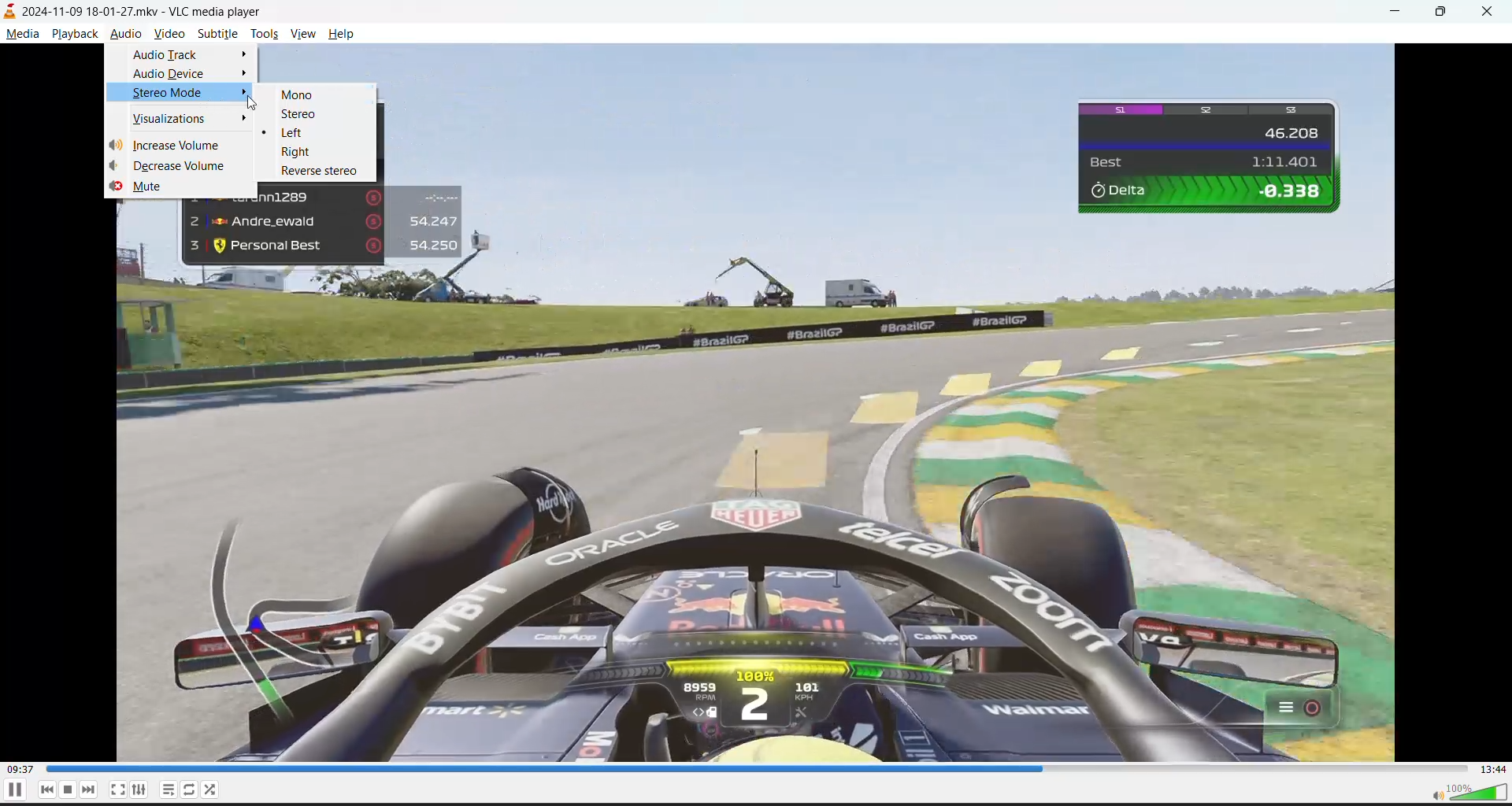 The height and width of the screenshot is (806, 1512). I want to click on maximize, so click(1445, 13).